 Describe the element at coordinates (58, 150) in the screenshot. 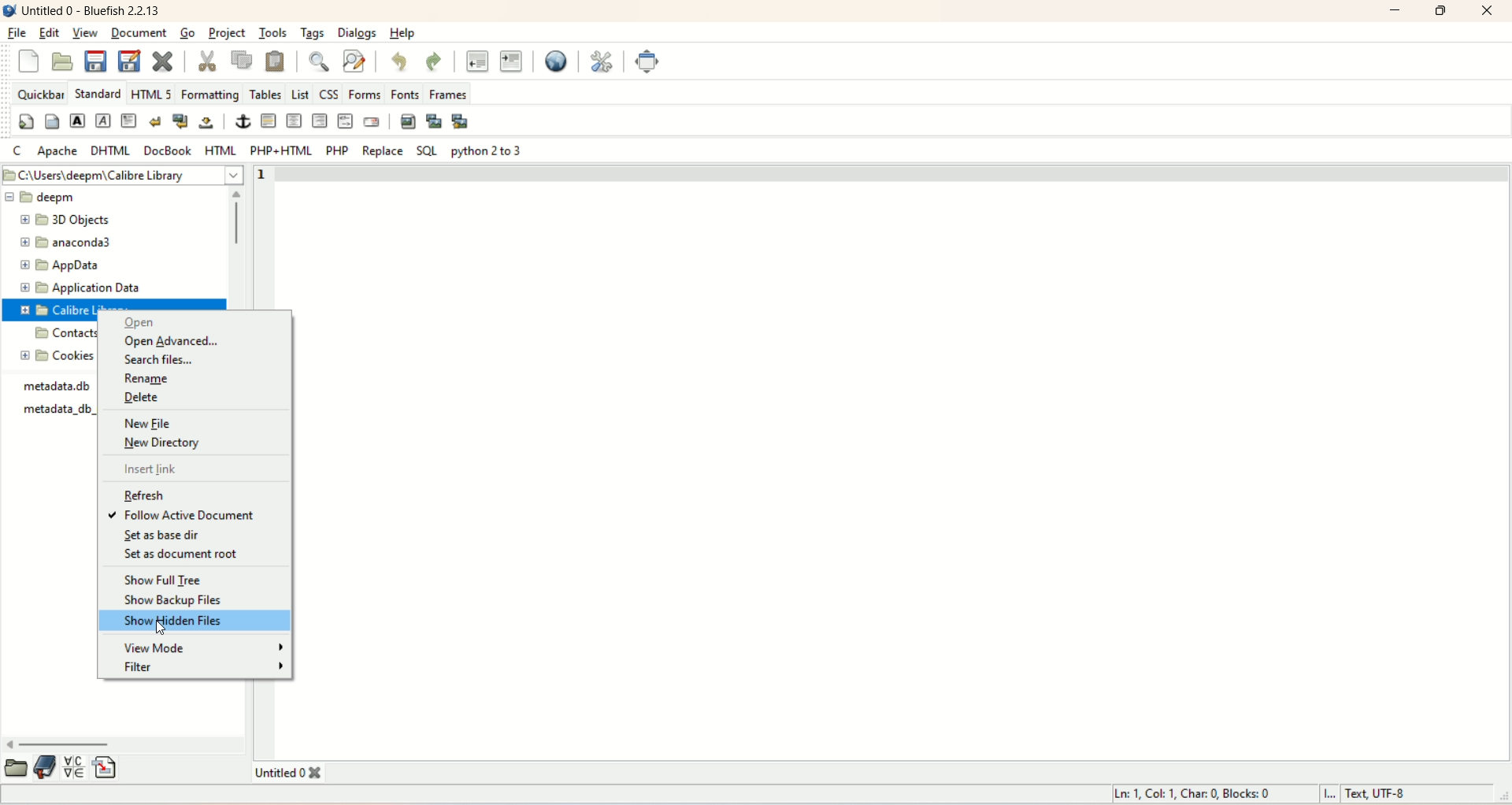

I see `apache` at that location.